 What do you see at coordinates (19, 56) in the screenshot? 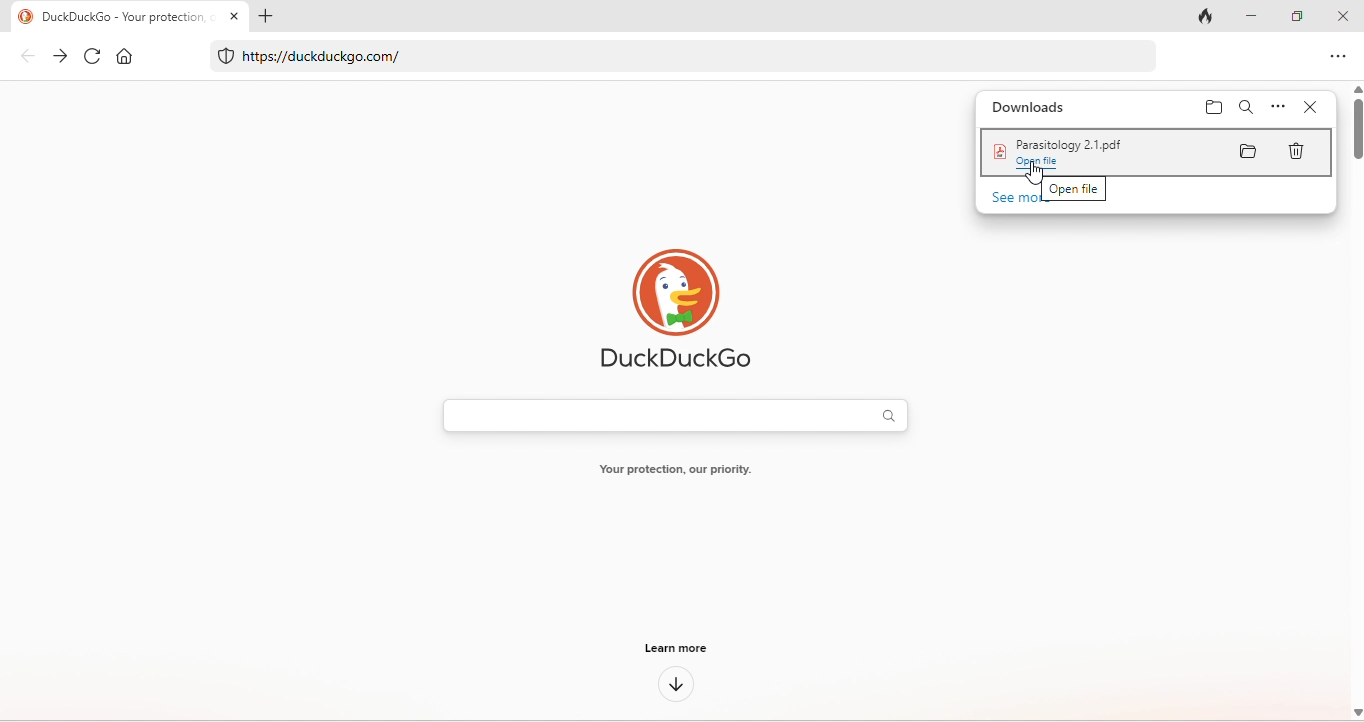
I see `back` at bounding box center [19, 56].